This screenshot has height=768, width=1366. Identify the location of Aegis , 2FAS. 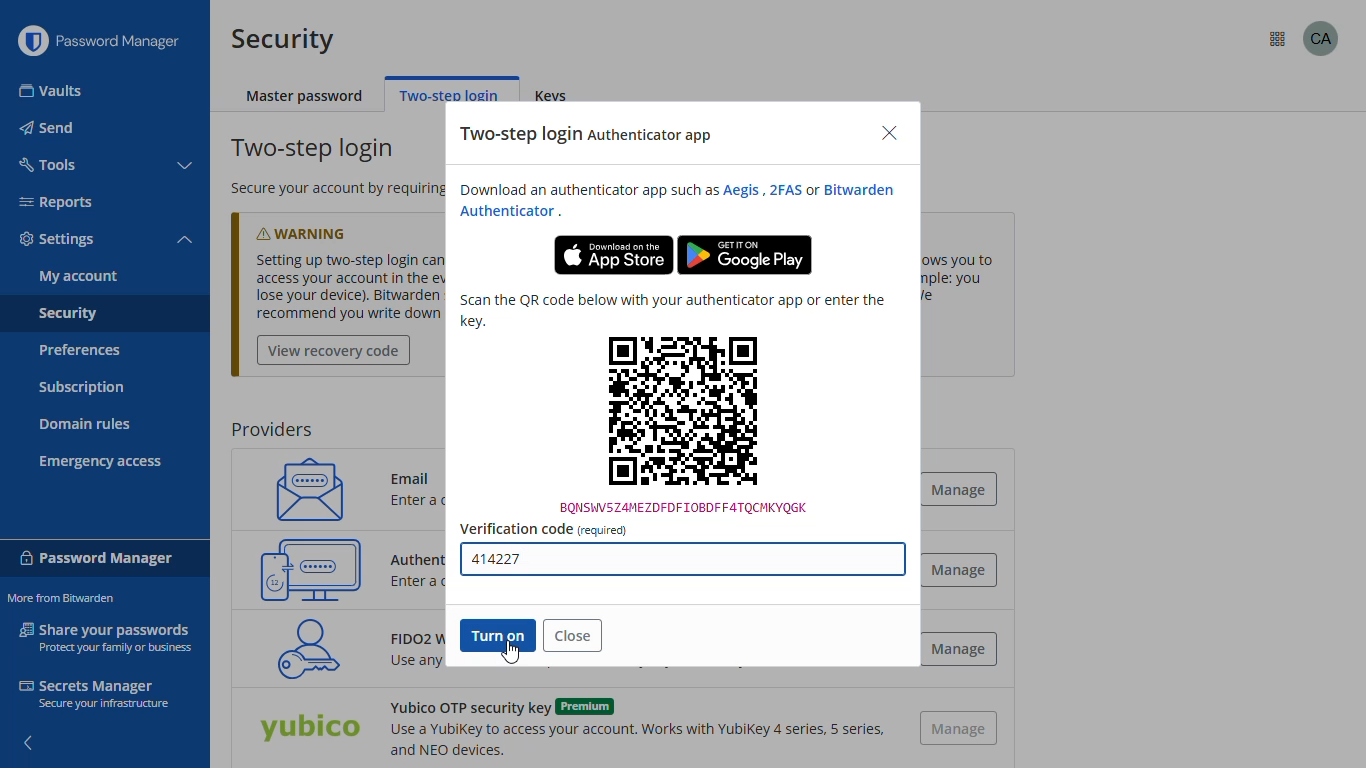
(761, 190).